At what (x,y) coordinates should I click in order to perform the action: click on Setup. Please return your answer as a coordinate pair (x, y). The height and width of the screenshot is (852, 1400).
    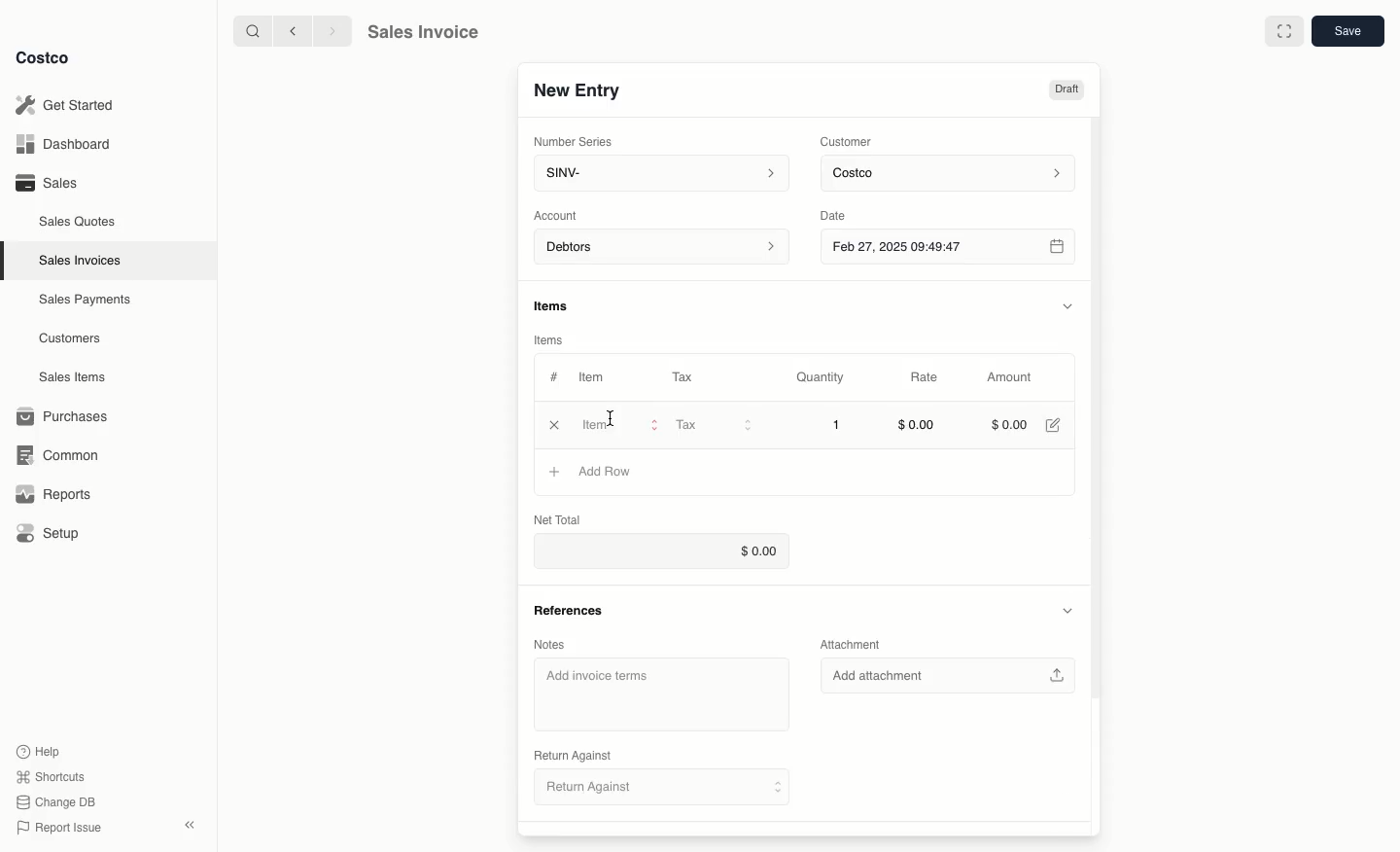
    Looking at the image, I should click on (50, 535).